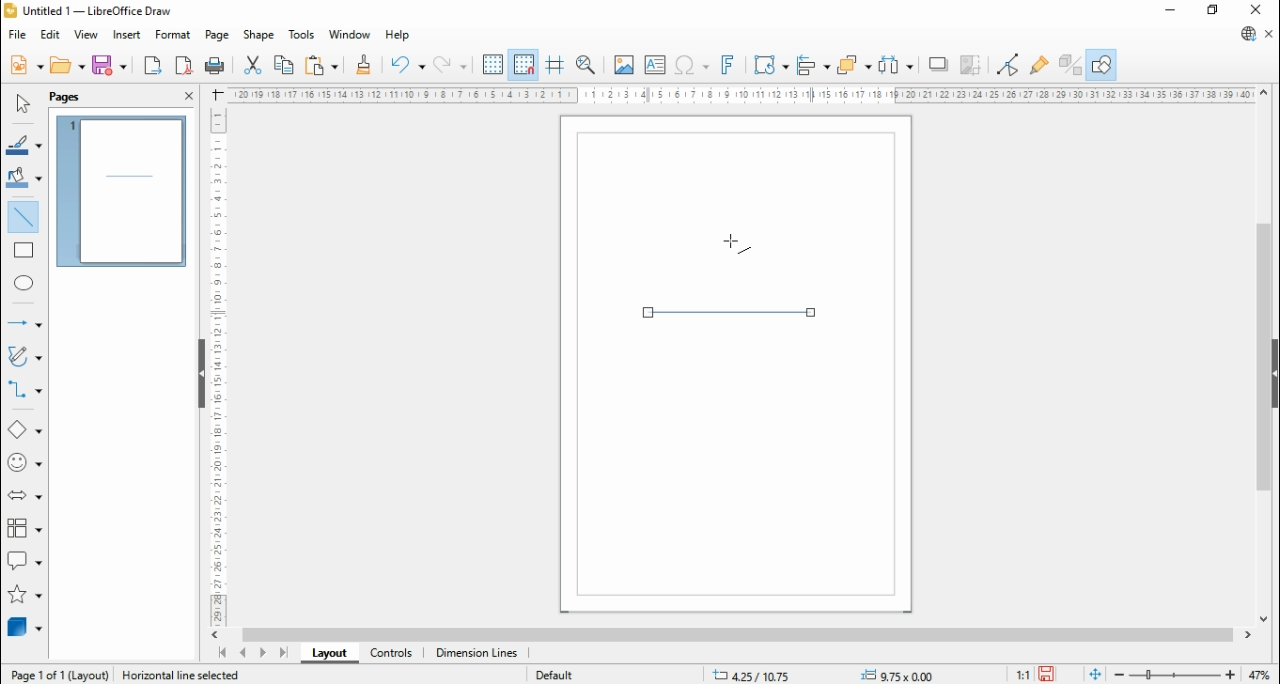  What do you see at coordinates (24, 250) in the screenshot?
I see `rectangle` at bounding box center [24, 250].